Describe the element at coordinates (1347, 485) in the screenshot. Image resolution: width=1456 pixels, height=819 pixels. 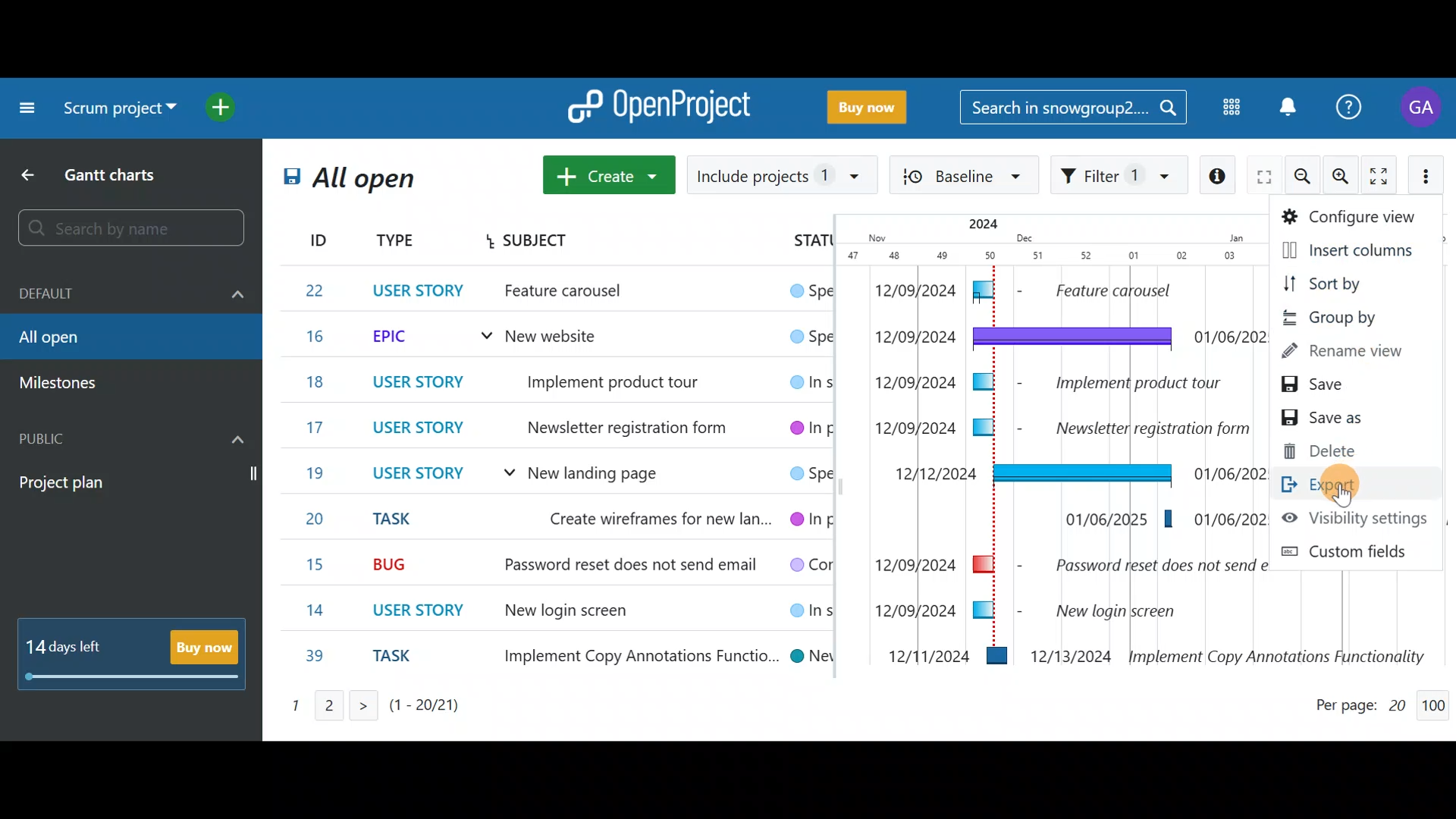
I see `Cursor on Export` at that location.